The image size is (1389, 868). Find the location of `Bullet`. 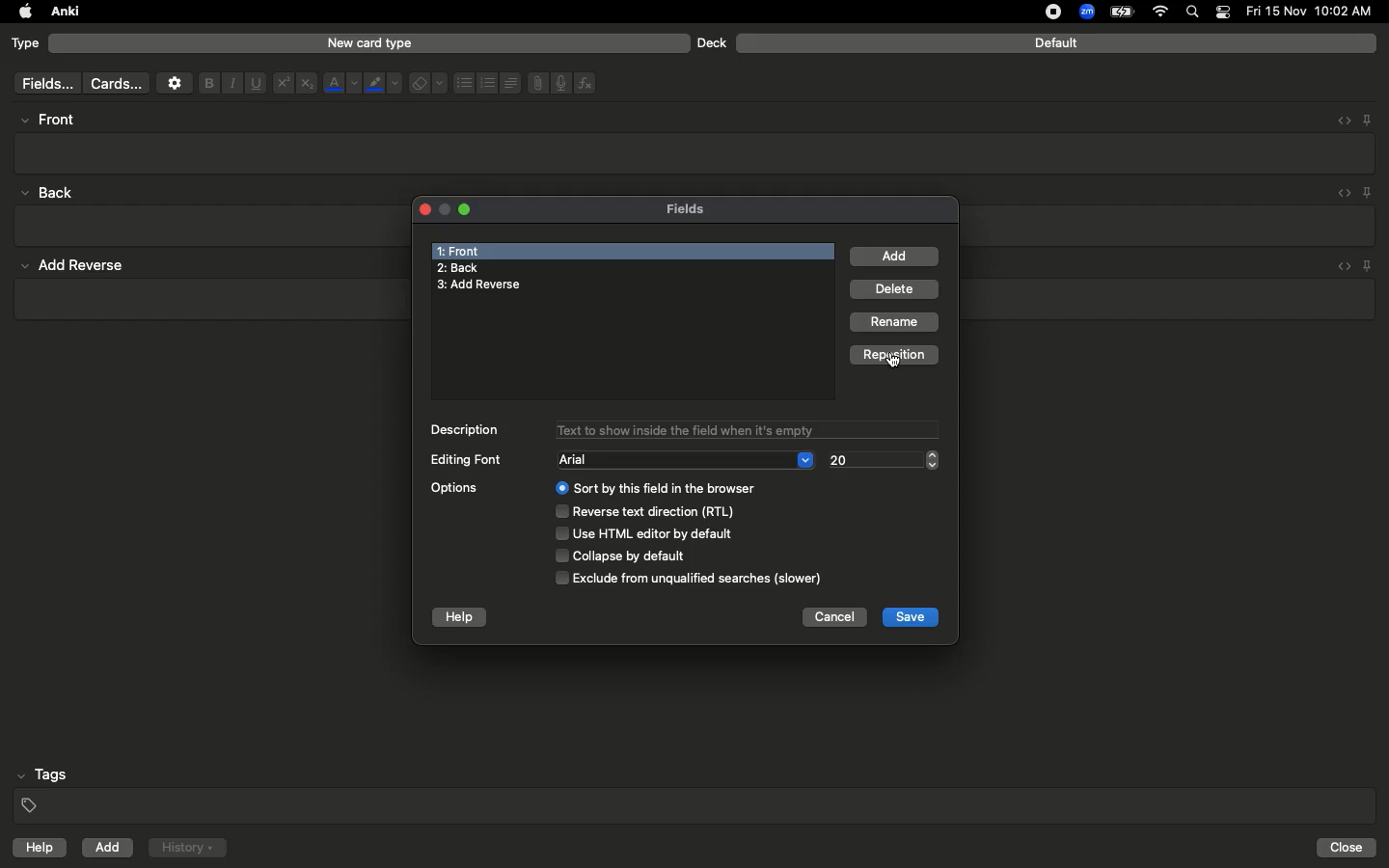

Bullet is located at coordinates (463, 83).